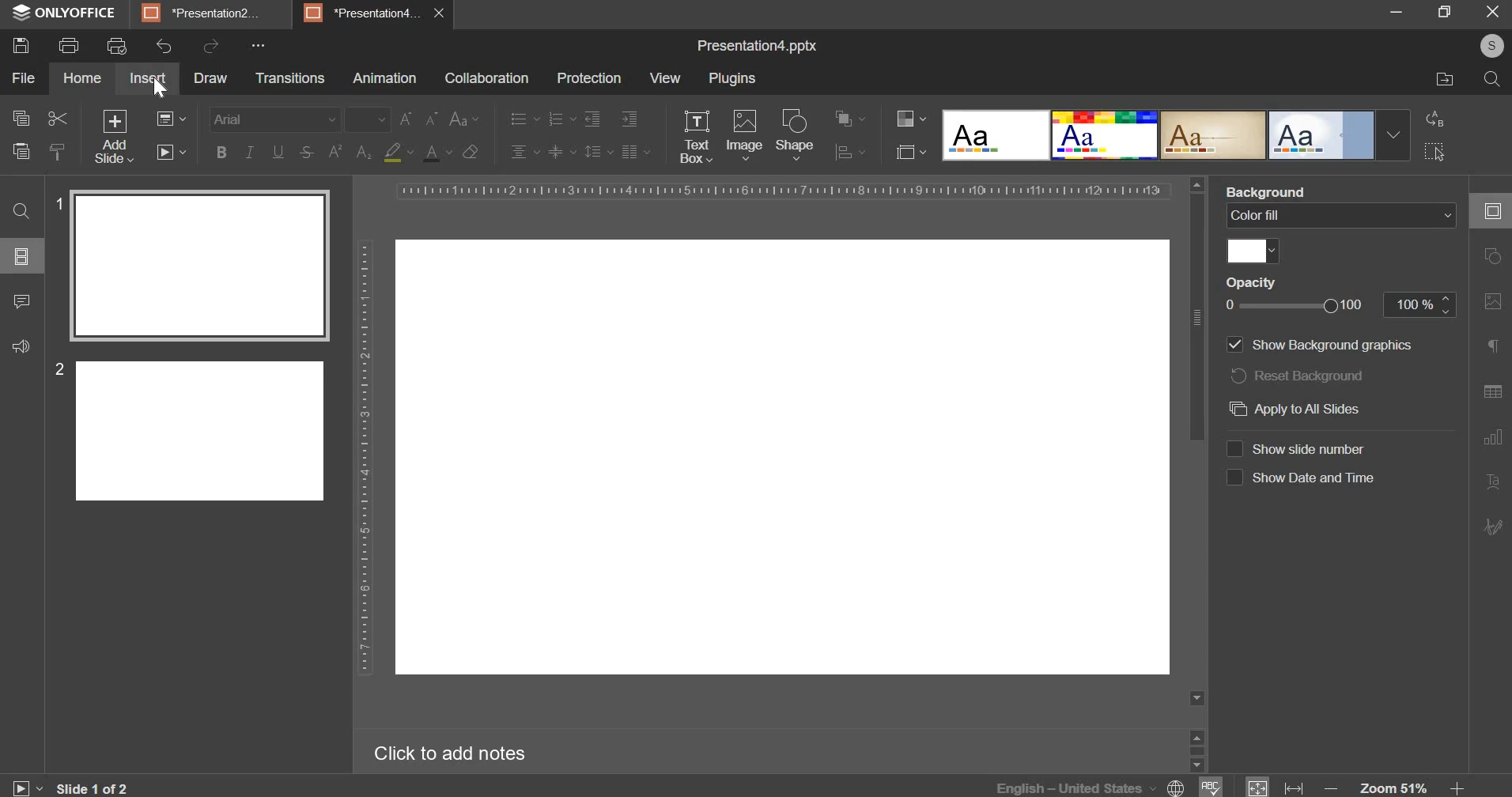 This screenshot has height=797, width=1512. What do you see at coordinates (1384, 12) in the screenshot?
I see `minimise` at bounding box center [1384, 12].